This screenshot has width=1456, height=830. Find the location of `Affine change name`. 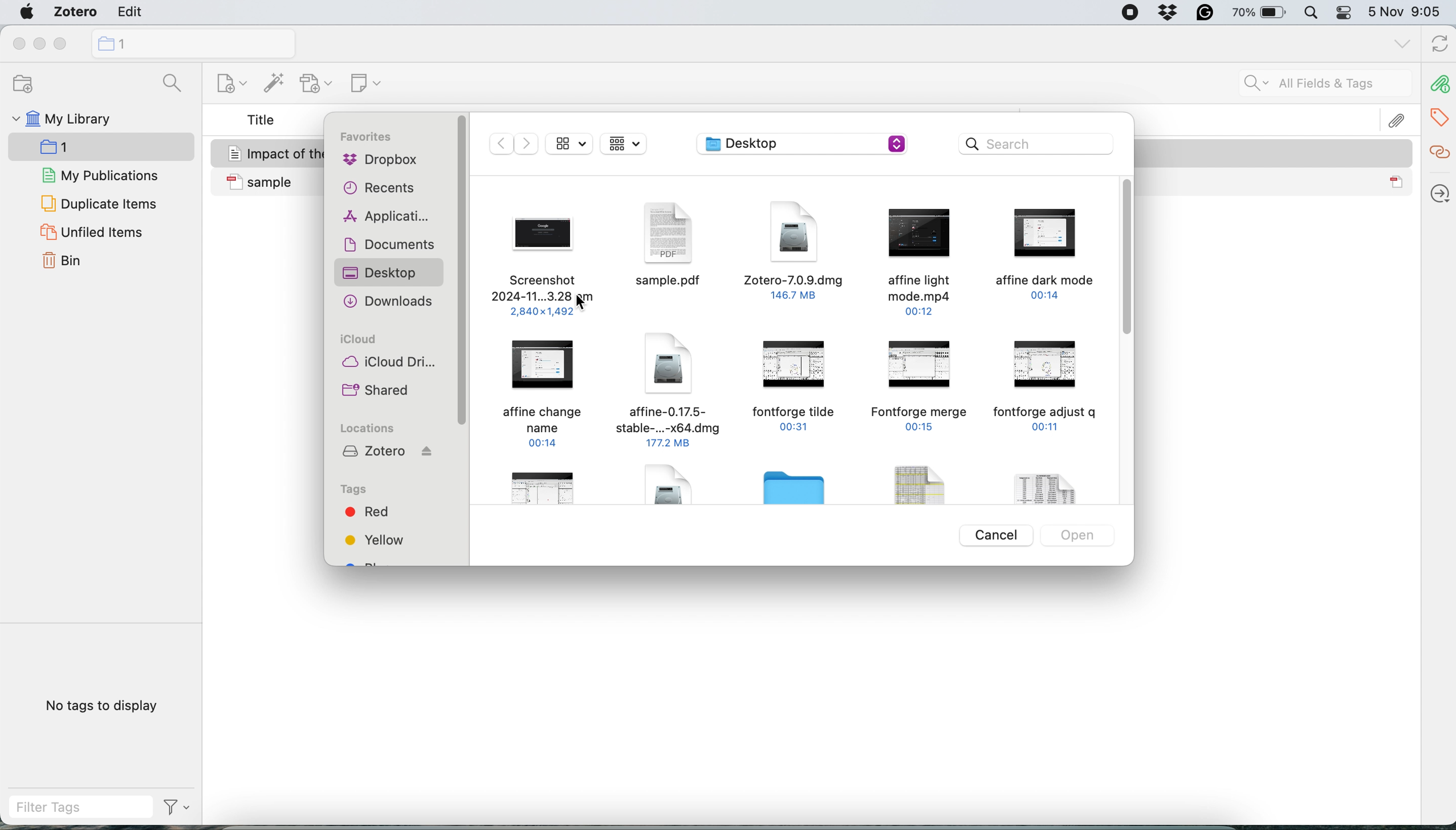

Affine change name is located at coordinates (550, 390).